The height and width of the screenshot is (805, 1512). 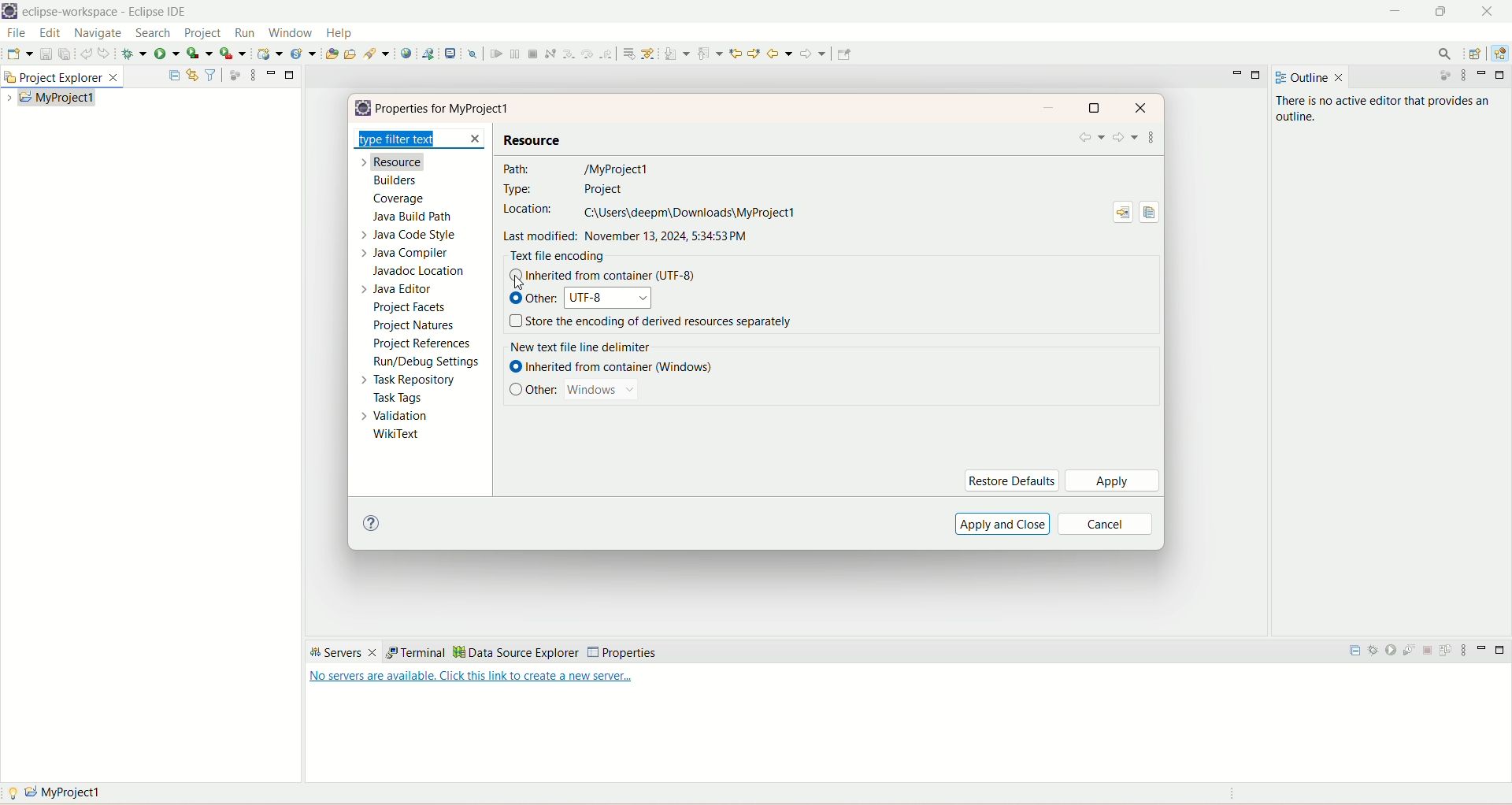 What do you see at coordinates (566, 189) in the screenshot?
I see `type` at bounding box center [566, 189].